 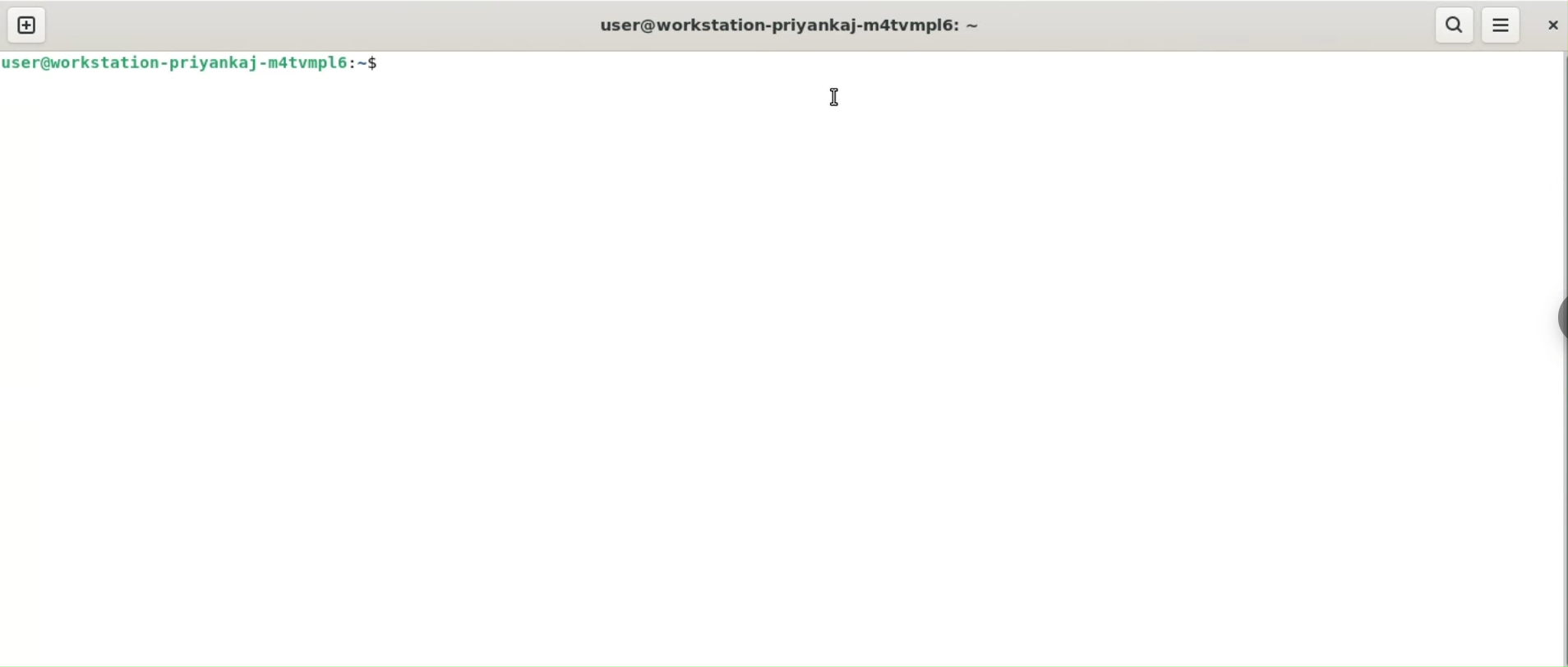 What do you see at coordinates (1549, 25) in the screenshot?
I see `close` at bounding box center [1549, 25].